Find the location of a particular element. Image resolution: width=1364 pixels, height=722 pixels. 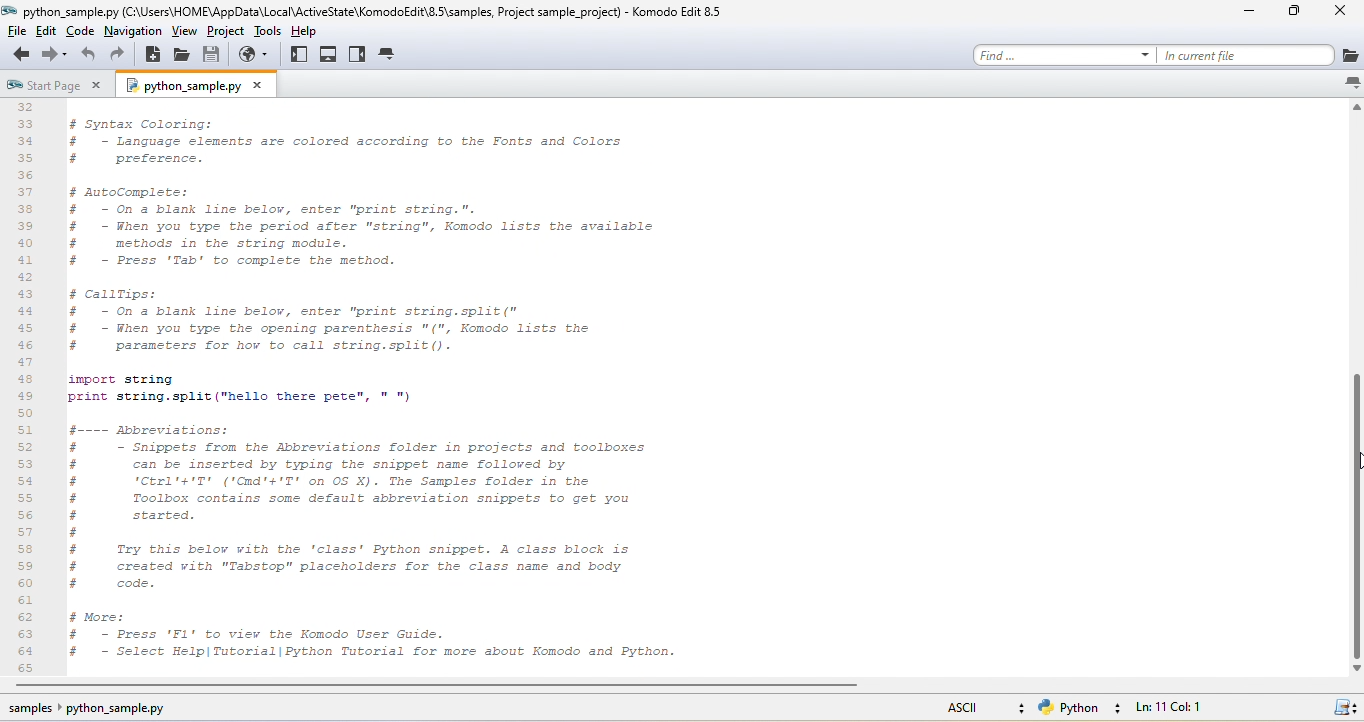

icon is located at coordinates (1346, 709).